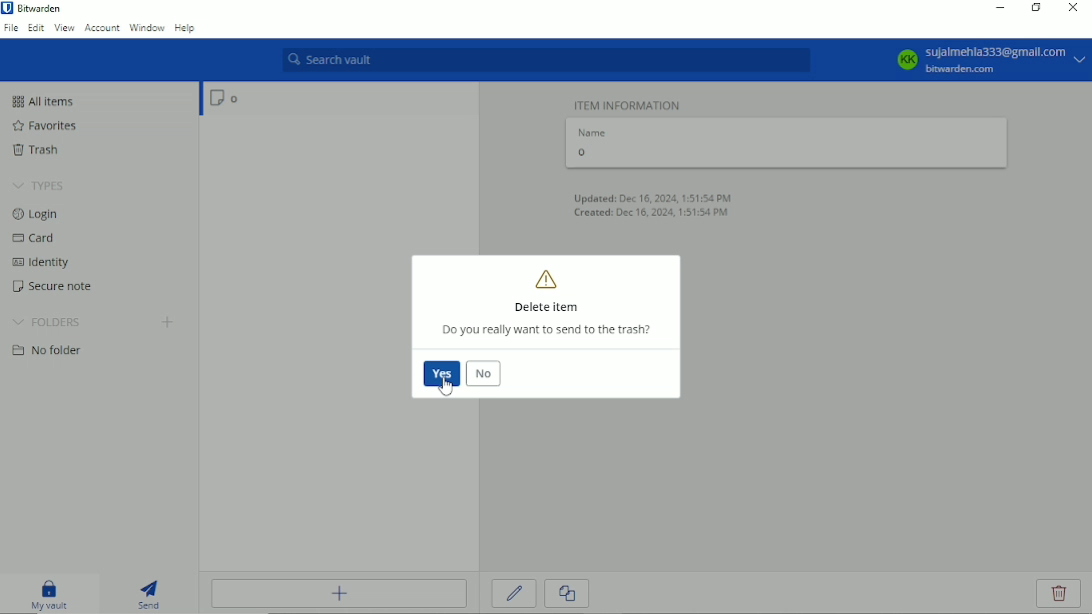 Image resolution: width=1092 pixels, height=614 pixels. Describe the element at coordinates (39, 214) in the screenshot. I see `Login` at that location.